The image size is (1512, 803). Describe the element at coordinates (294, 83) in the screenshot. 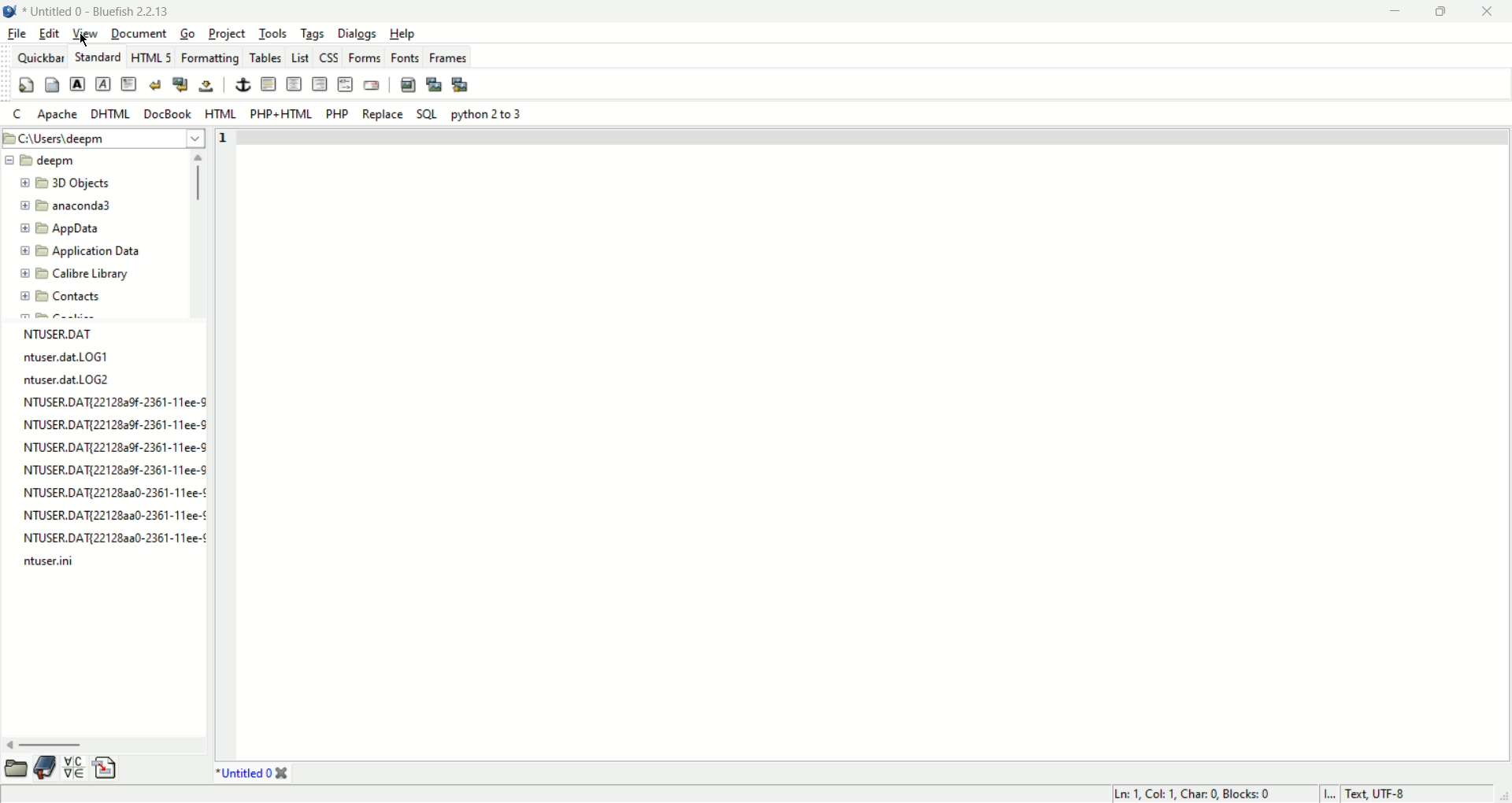

I see `center` at that location.